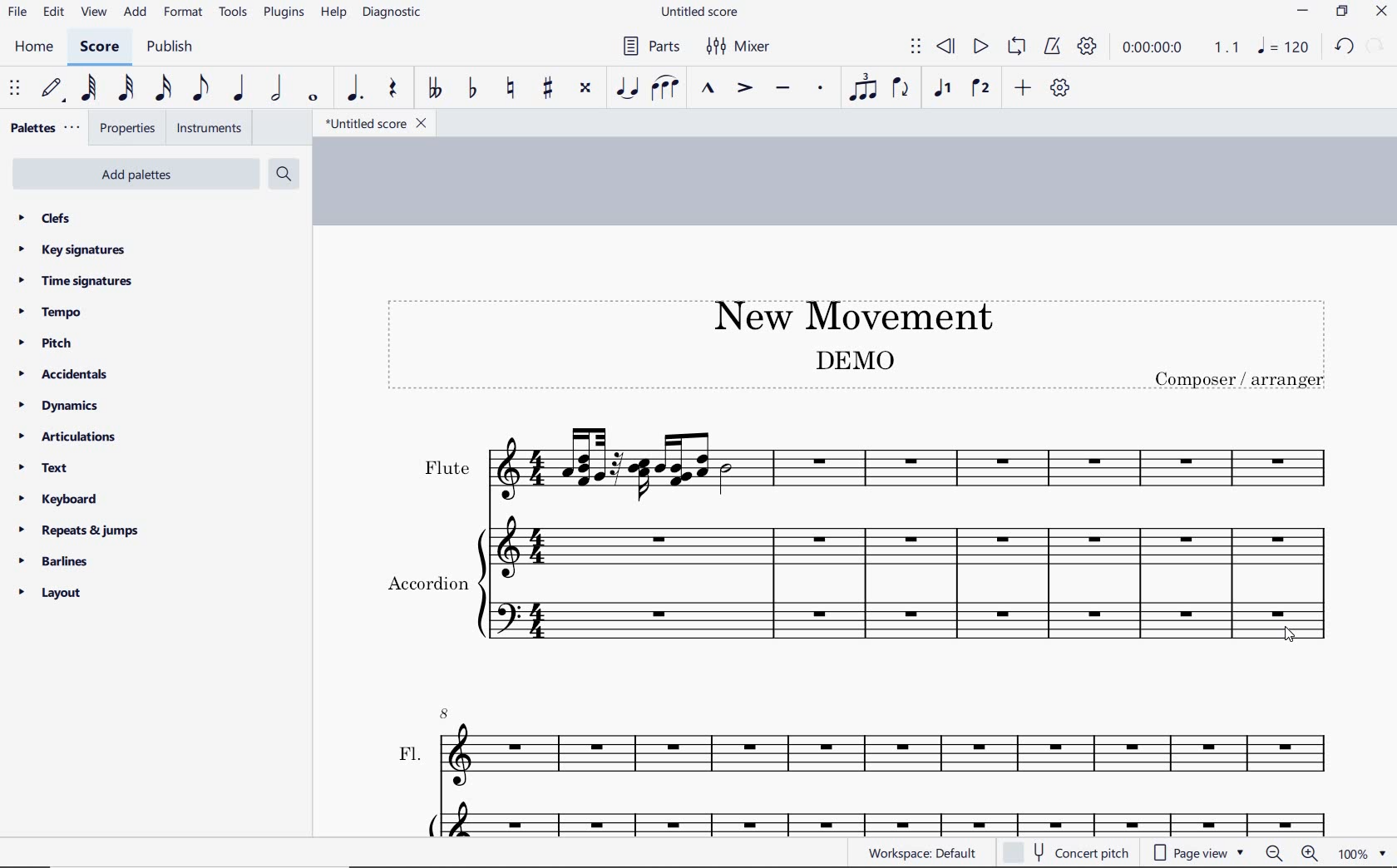 The height and width of the screenshot is (868, 1397). Describe the element at coordinates (471, 89) in the screenshot. I see `toggle flat` at that location.